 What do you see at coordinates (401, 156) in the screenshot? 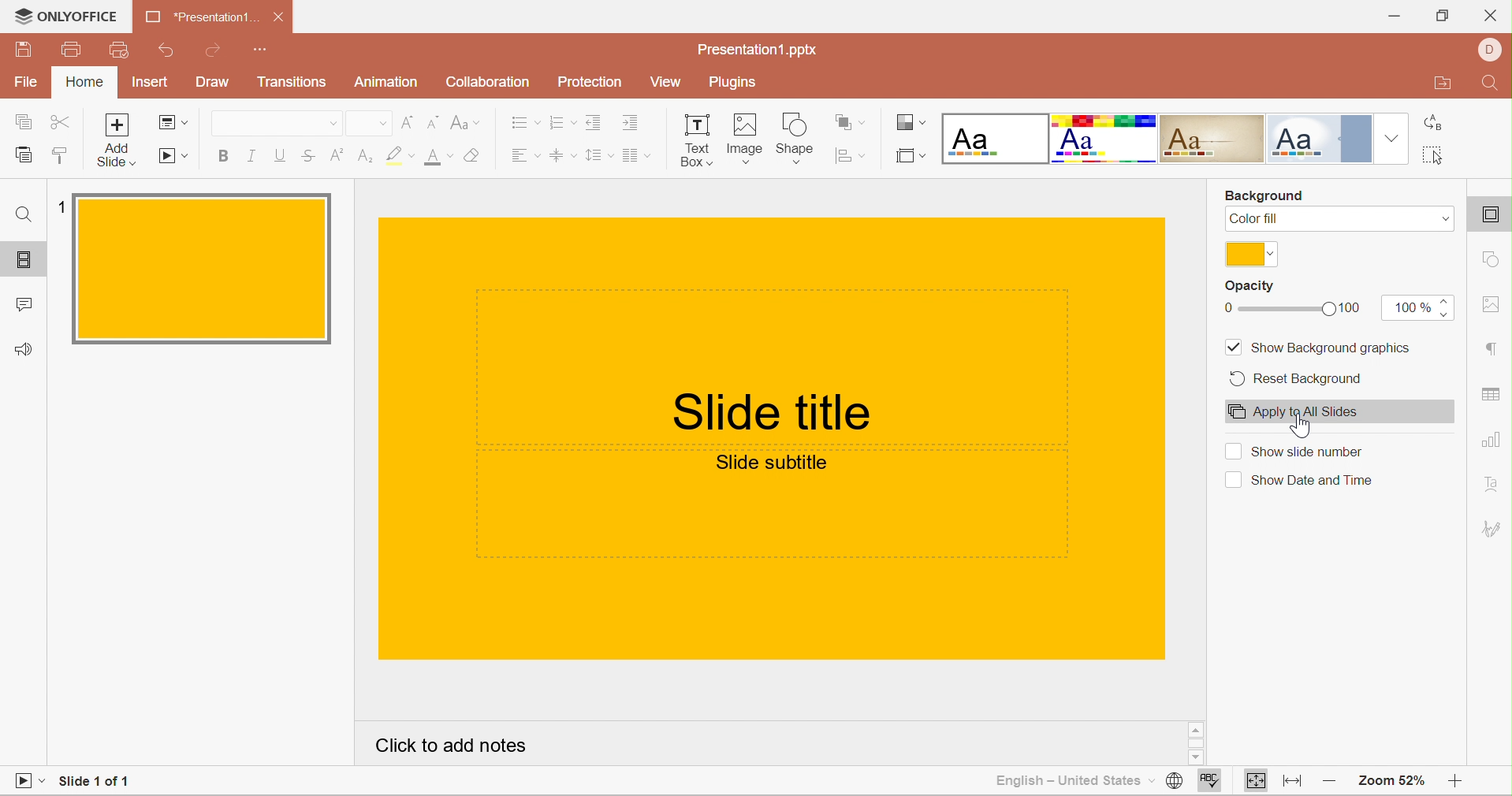
I see `Highlight color` at bounding box center [401, 156].